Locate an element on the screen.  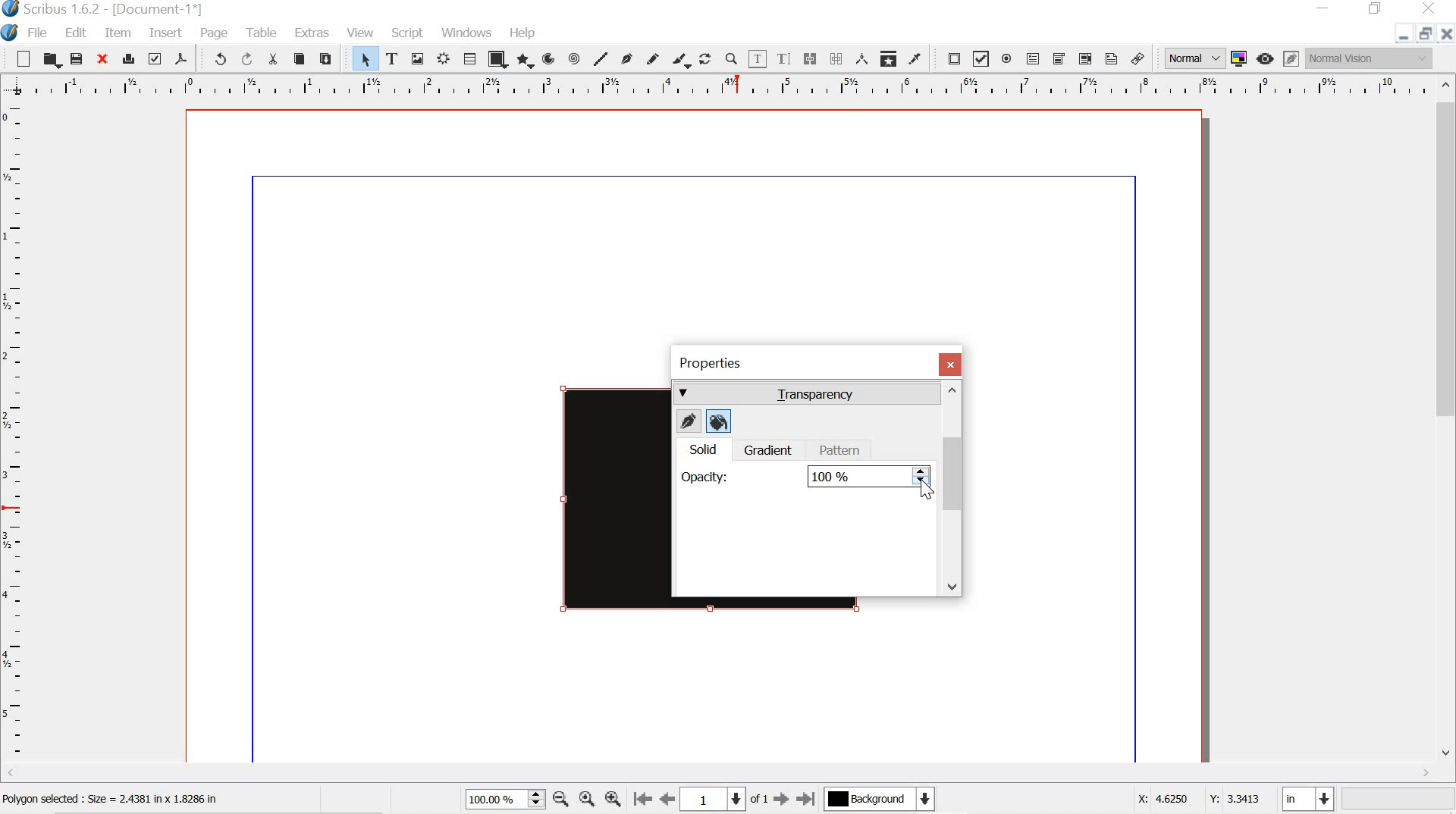
copy is located at coordinates (299, 58).